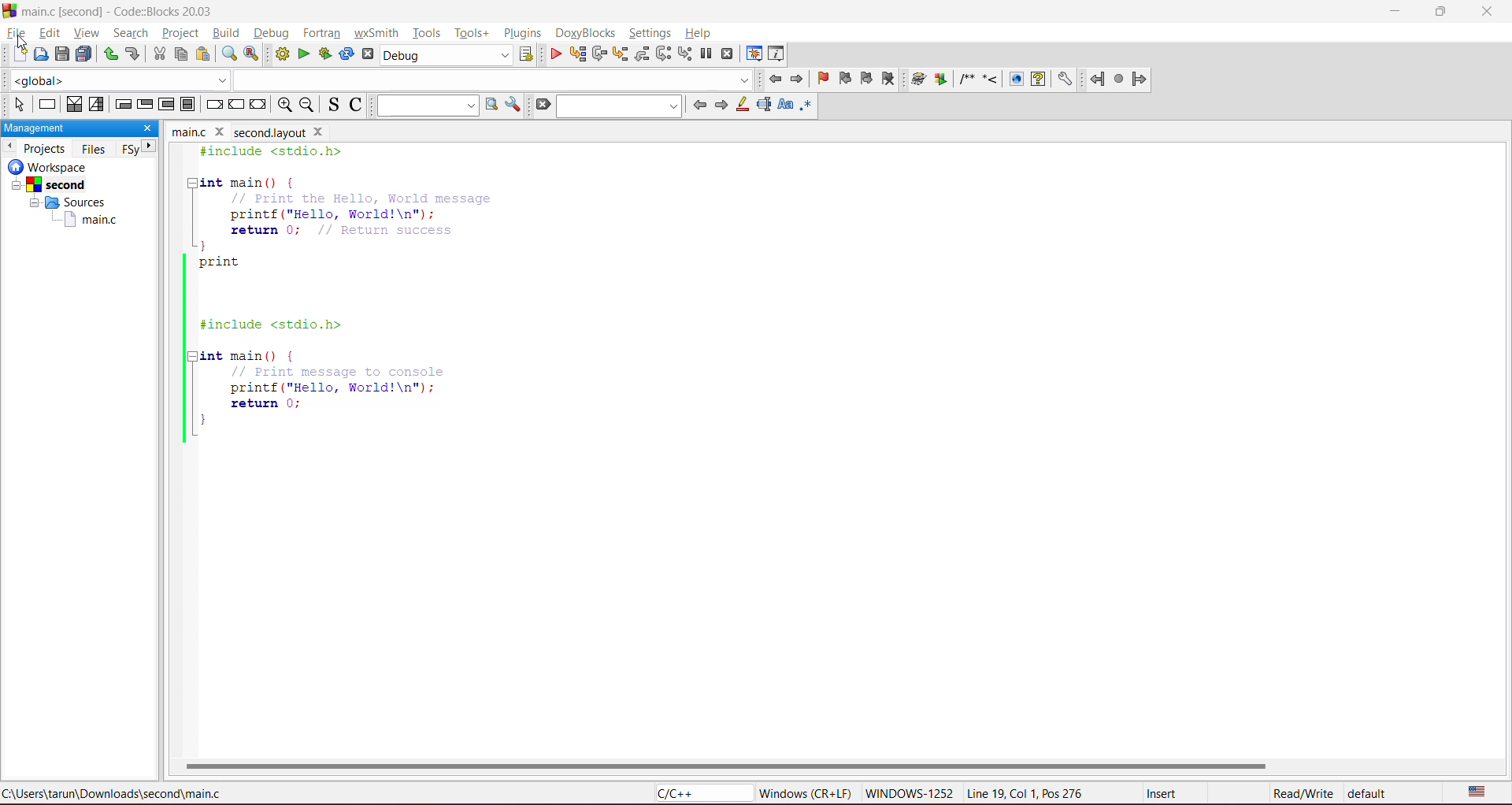 The width and height of the screenshot is (1512, 805). What do you see at coordinates (1395, 12) in the screenshot?
I see `minimize` at bounding box center [1395, 12].